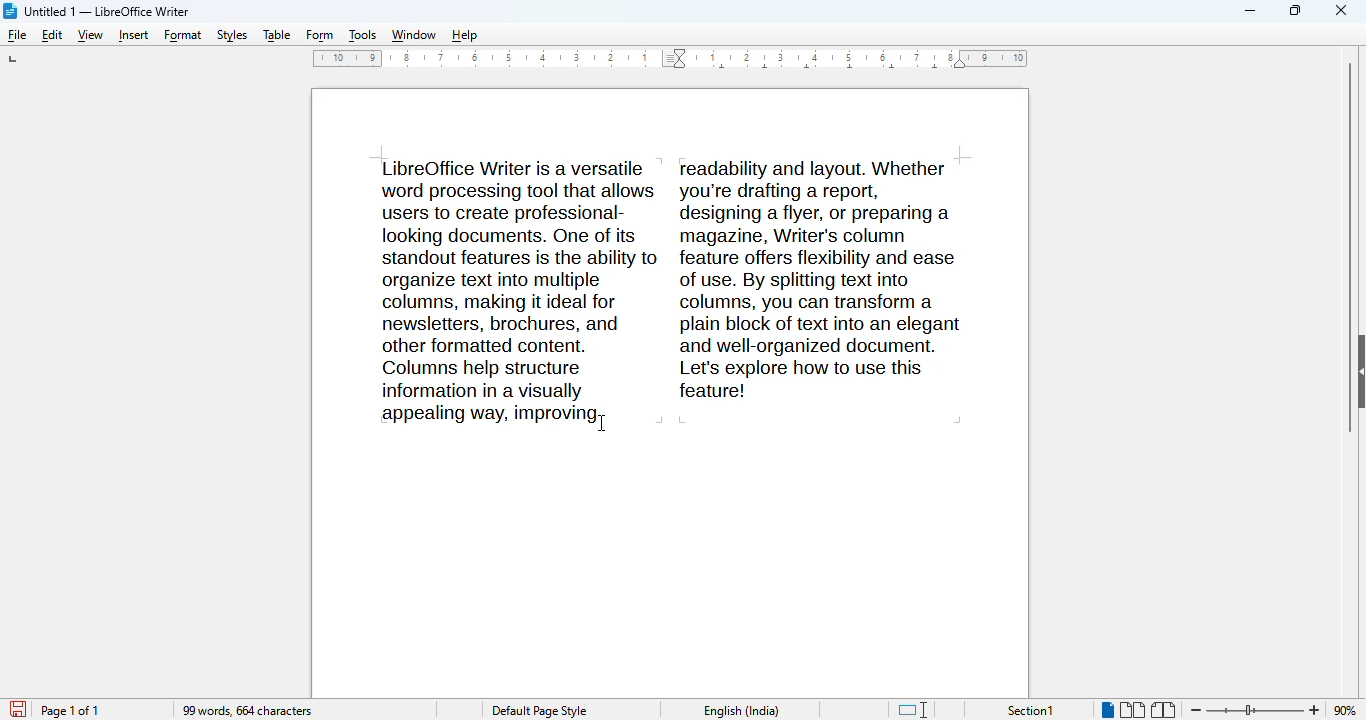  What do you see at coordinates (848, 67) in the screenshot?
I see `center tab` at bounding box center [848, 67].